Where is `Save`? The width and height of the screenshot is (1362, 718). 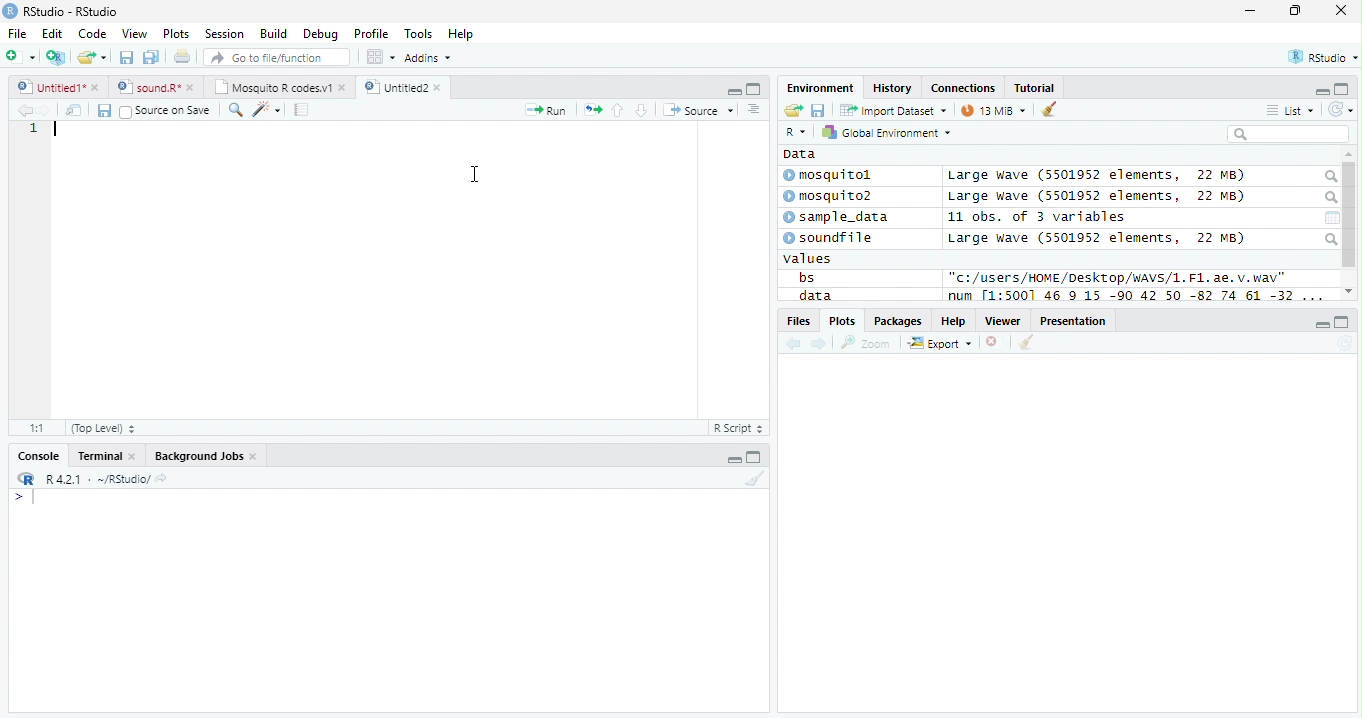 Save is located at coordinates (818, 110).